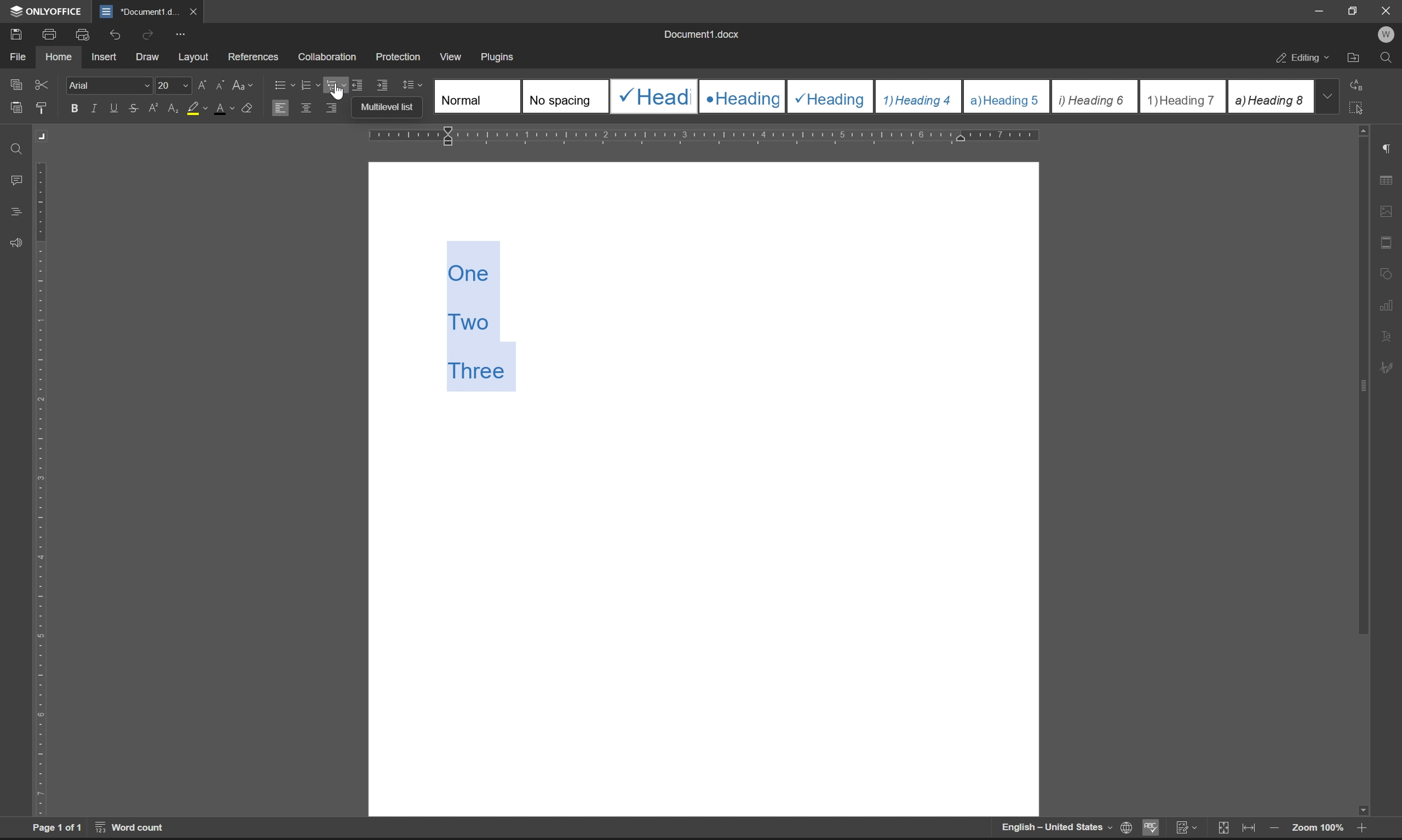 This screenshot has height=840, width=1402. What do you see at coordinates (652, 96) in the screenshot?
I see `Heading 1` at bounding box center [652, 96].